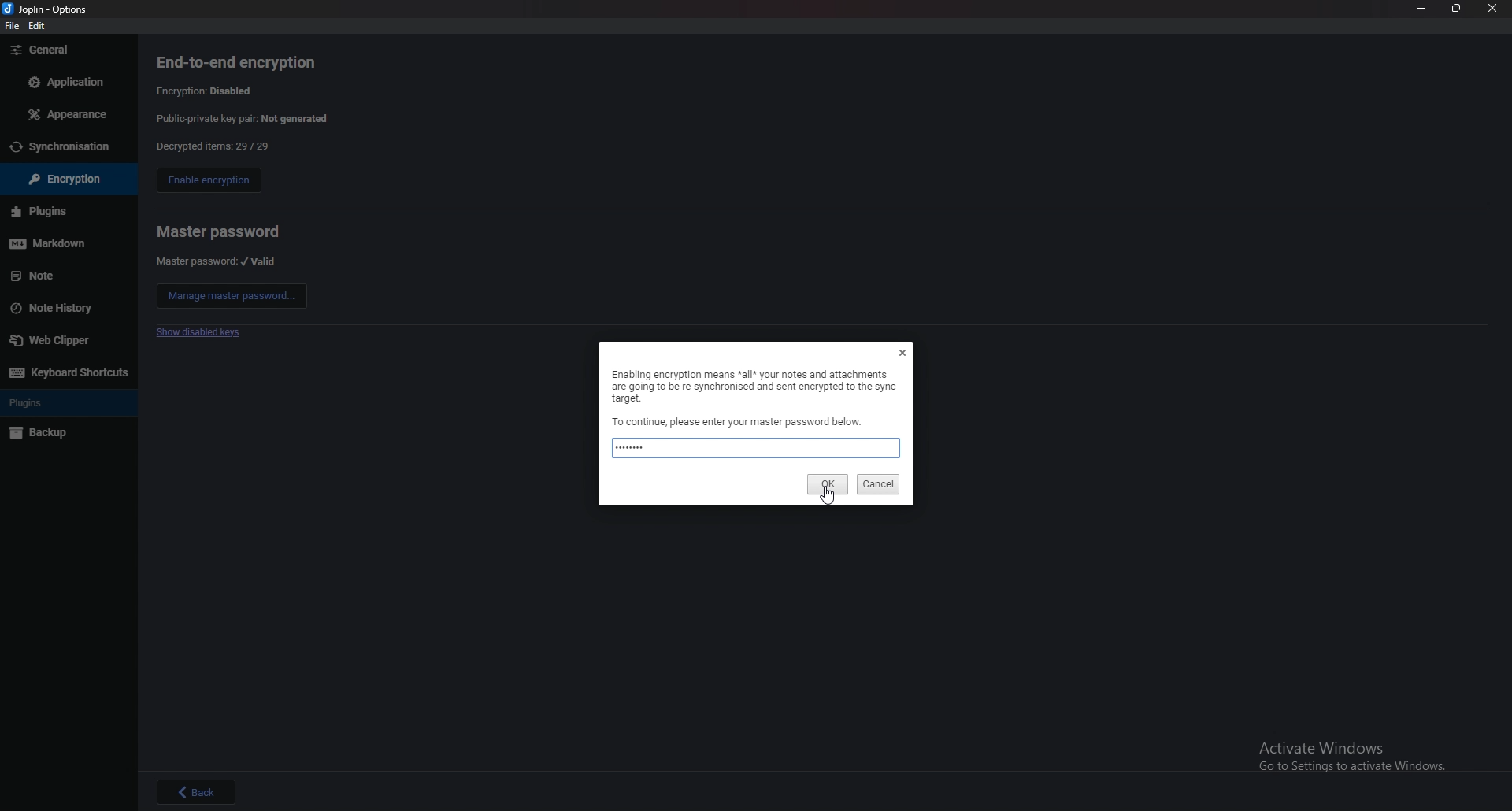 This screenshot has height=811, width=1512. What do you see at coordinates (50, 309) in the screenshot?
I see `` at bounding box center [50, 309].